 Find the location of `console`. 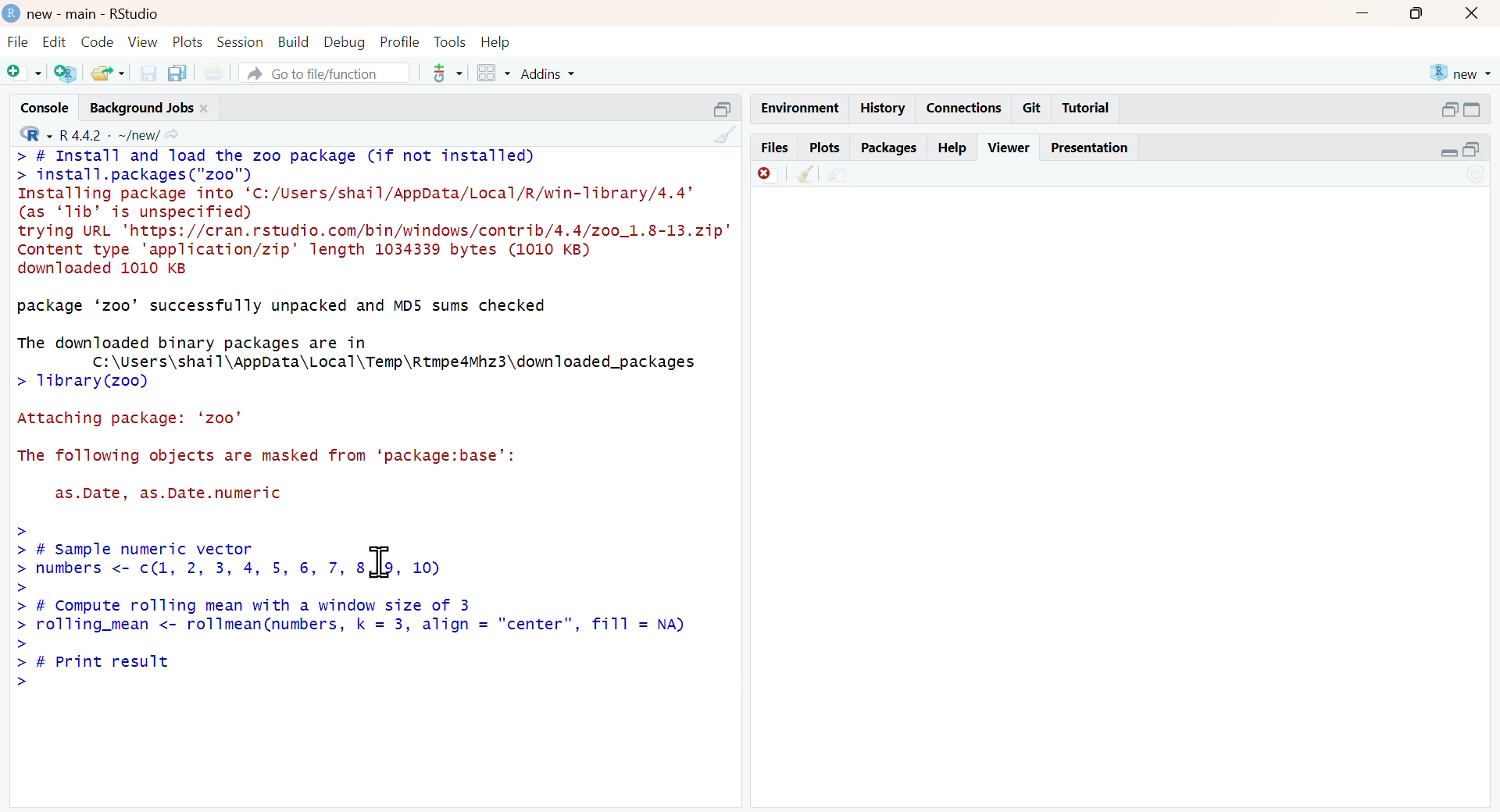

console is located at coordinates (46, 109).